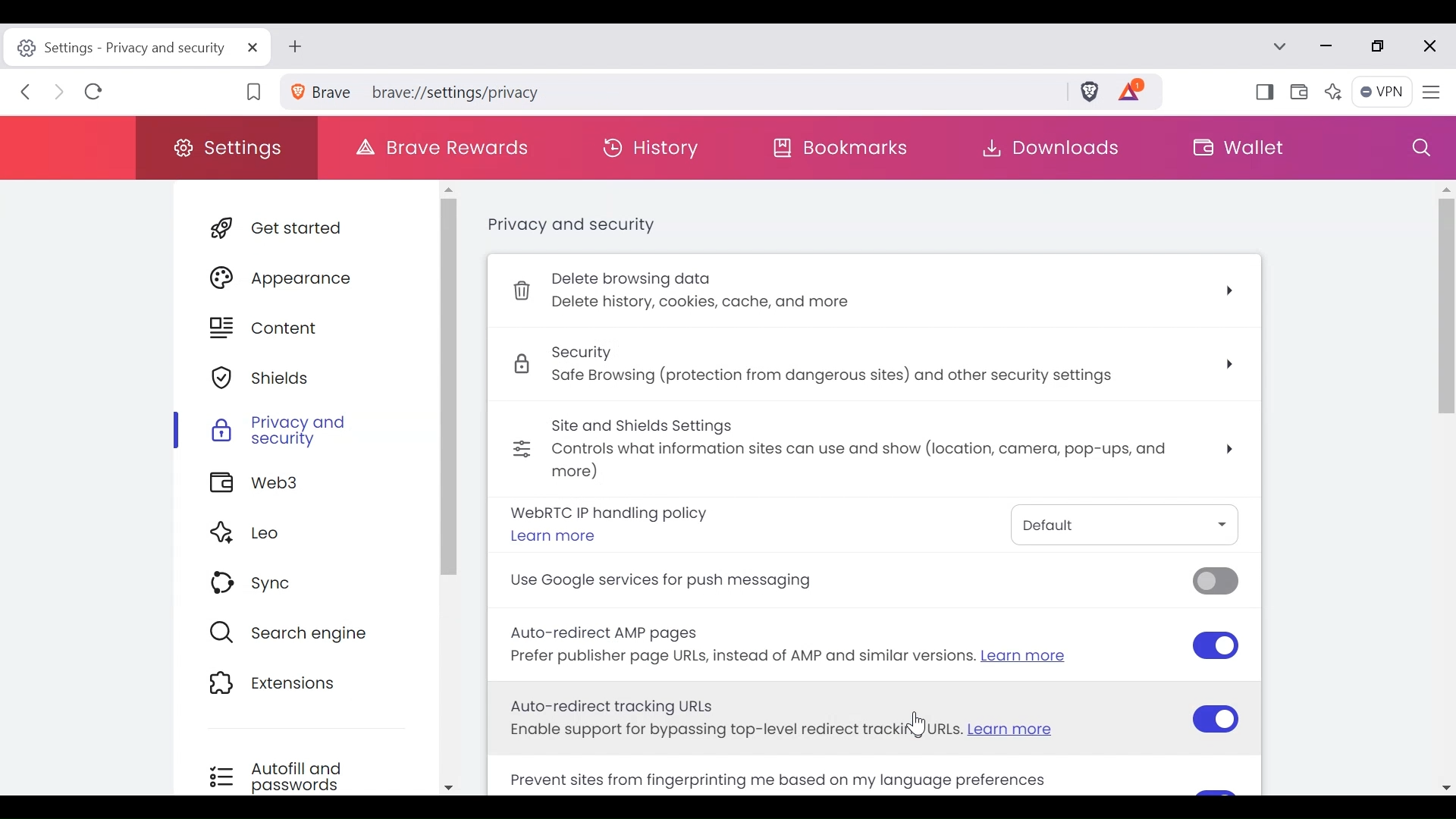 This screenshot has height=819, width=1456. Describe the element at coordinates (1446, 441) in the screenshot. I see `Scroll bar` at that location.